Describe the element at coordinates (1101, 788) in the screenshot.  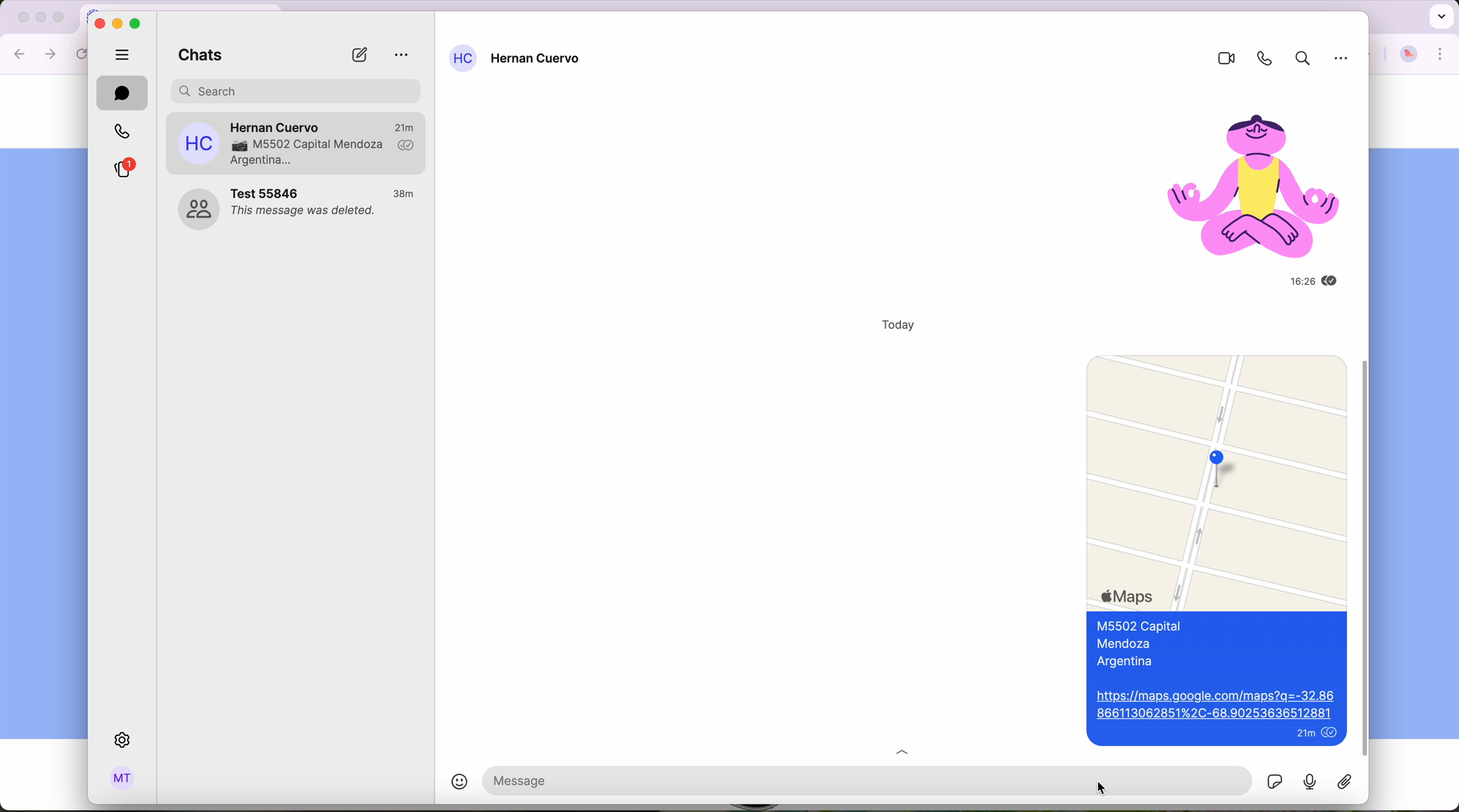
I see `cursor` at that location.